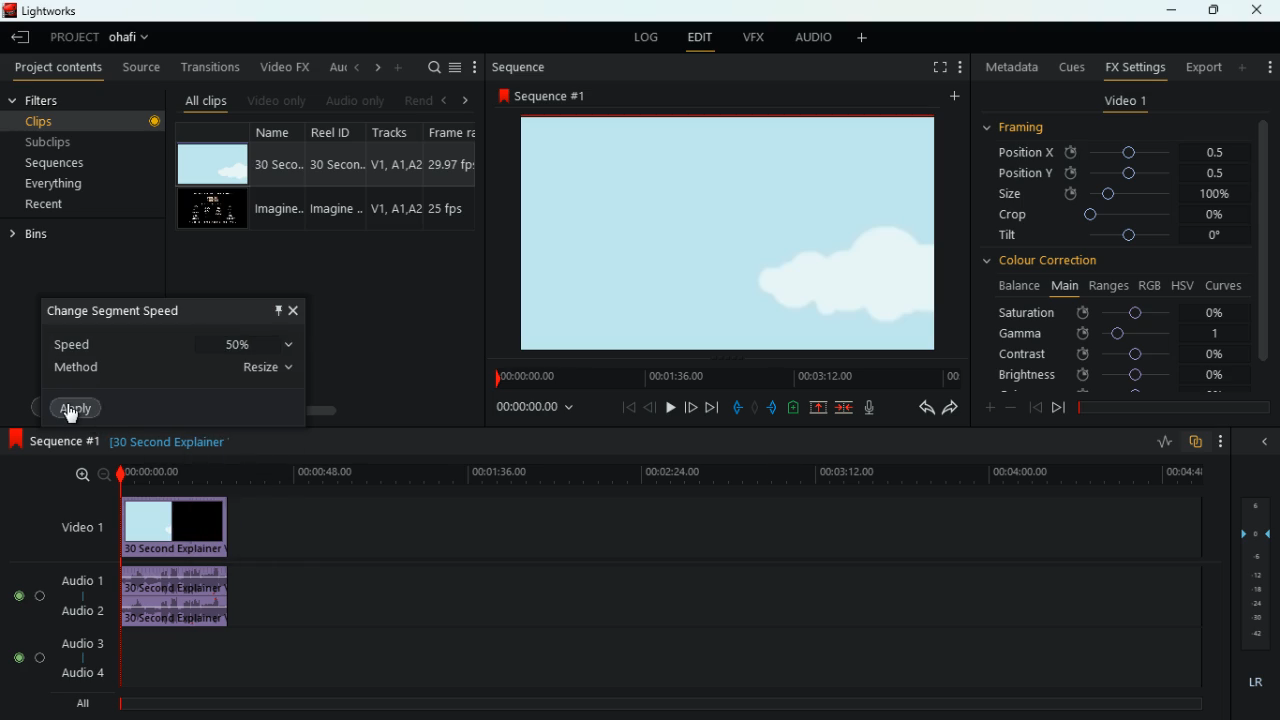  I want to click on audio, so click(352, 100).